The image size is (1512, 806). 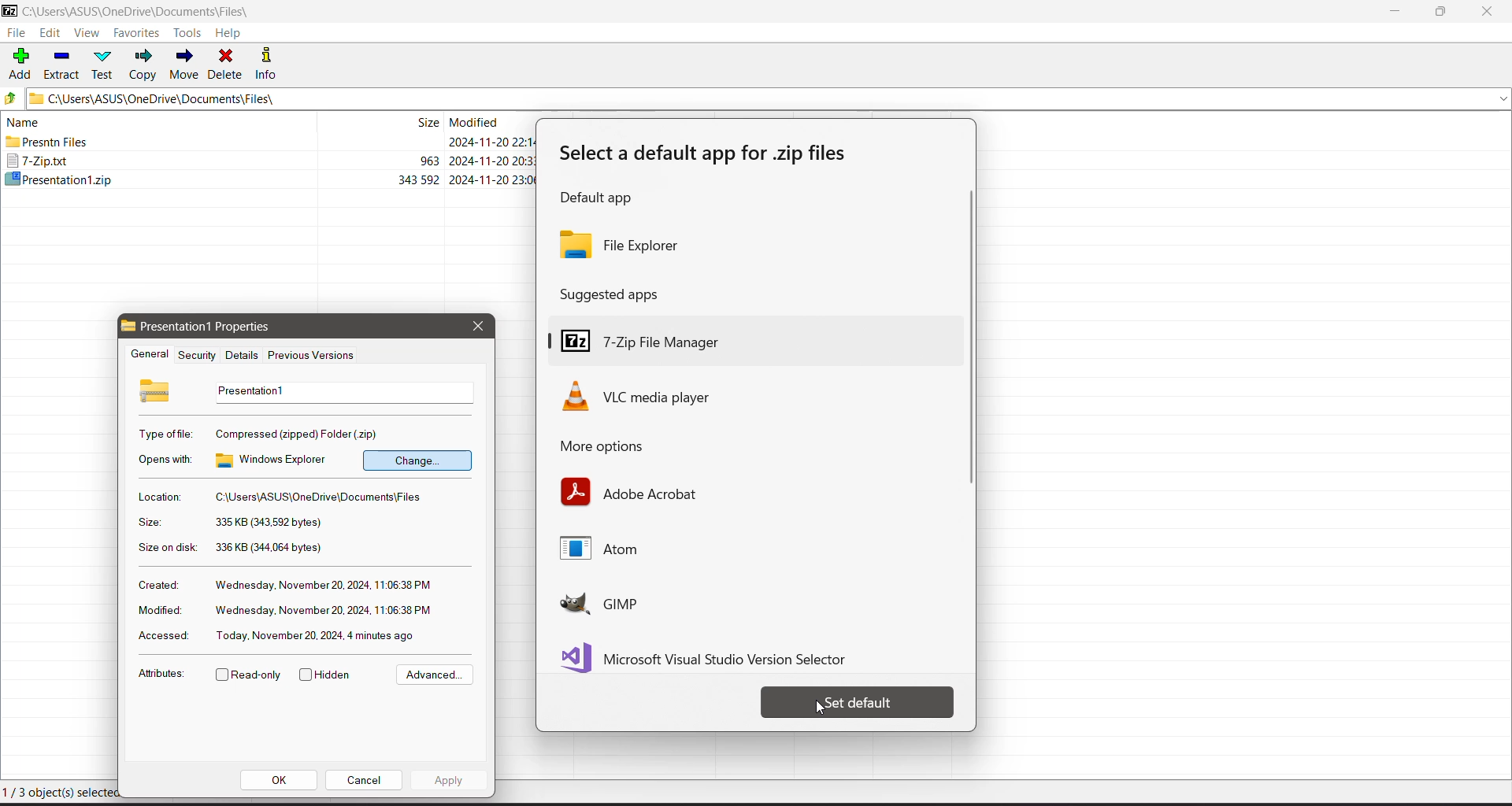 I want to click on Move, so click(x=184, y=65).